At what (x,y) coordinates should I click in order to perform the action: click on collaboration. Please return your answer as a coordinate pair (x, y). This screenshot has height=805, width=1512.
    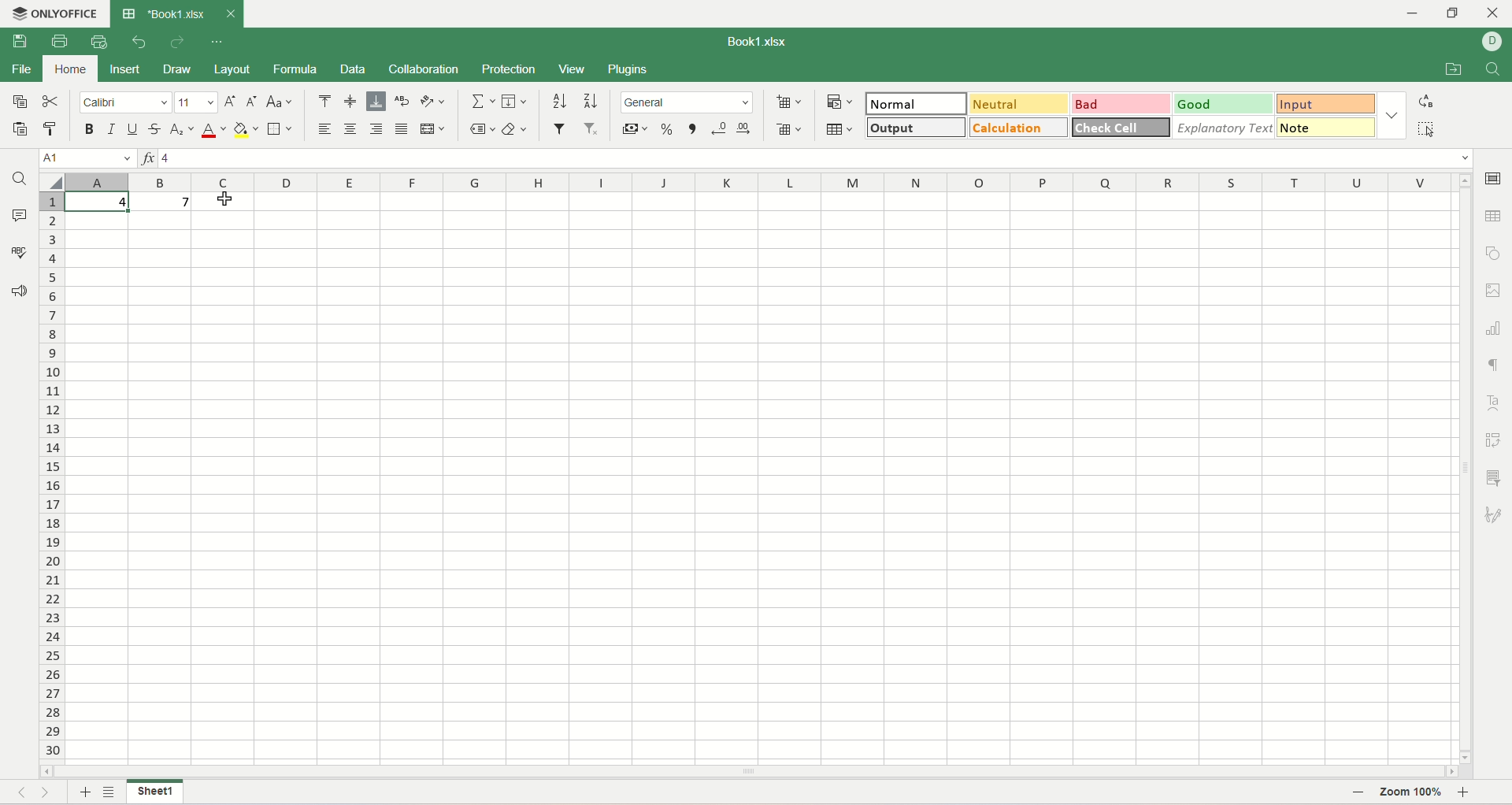
    Looking at the image, I should click on (425, 69).